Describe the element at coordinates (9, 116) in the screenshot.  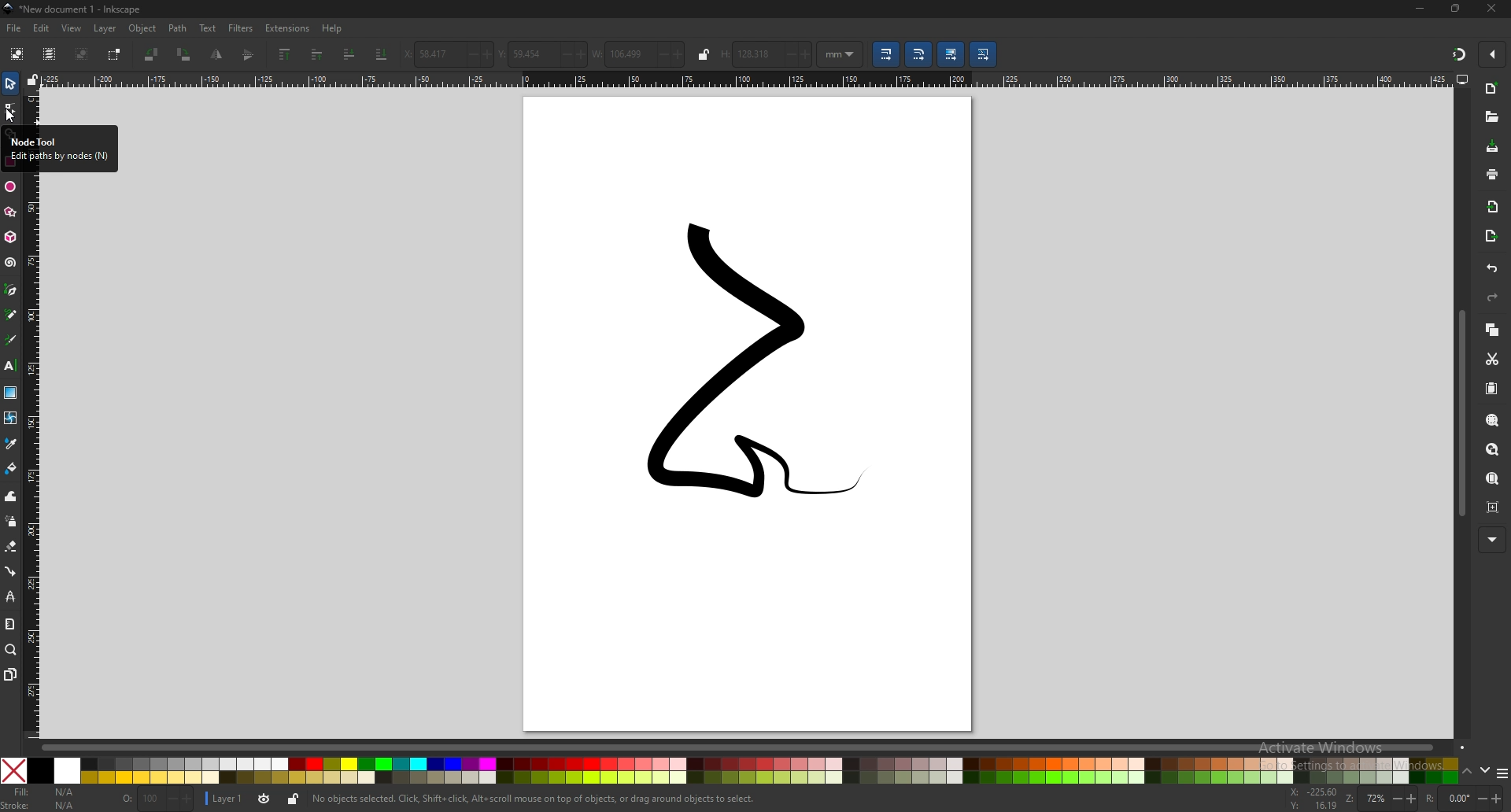
I see `cursor` at that location.